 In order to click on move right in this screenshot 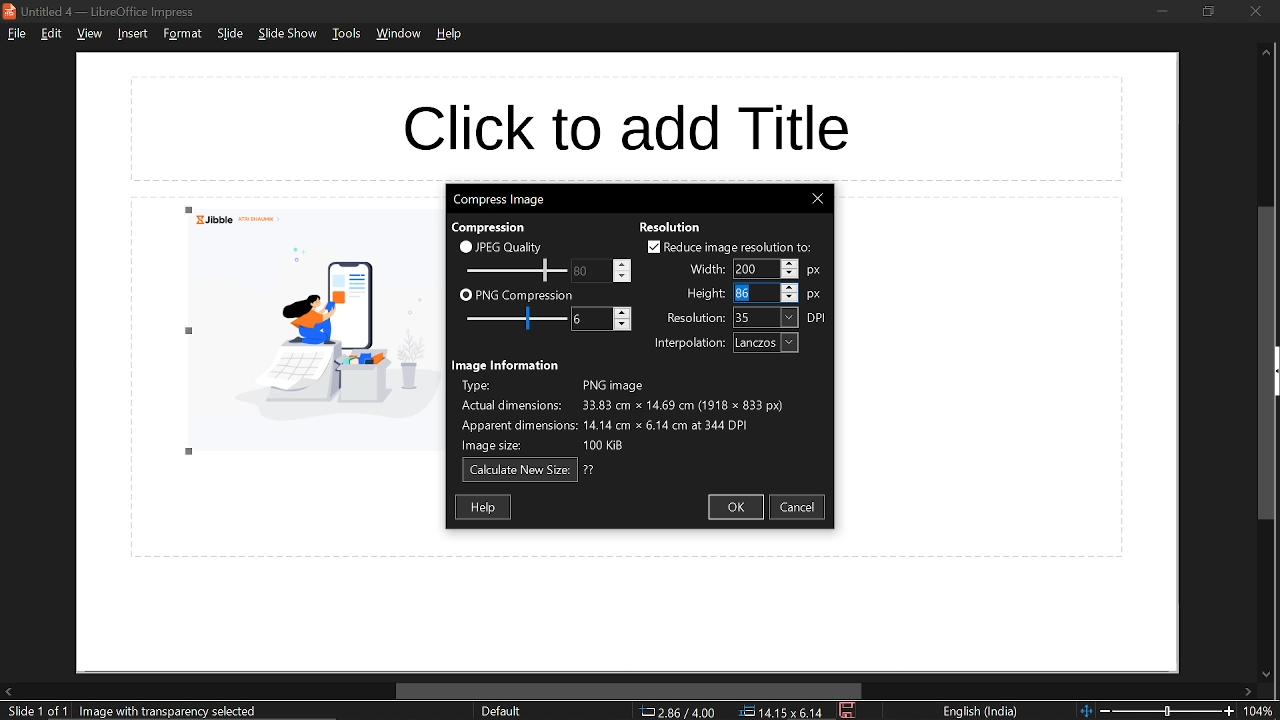, I will do `click(1248, 693)`.